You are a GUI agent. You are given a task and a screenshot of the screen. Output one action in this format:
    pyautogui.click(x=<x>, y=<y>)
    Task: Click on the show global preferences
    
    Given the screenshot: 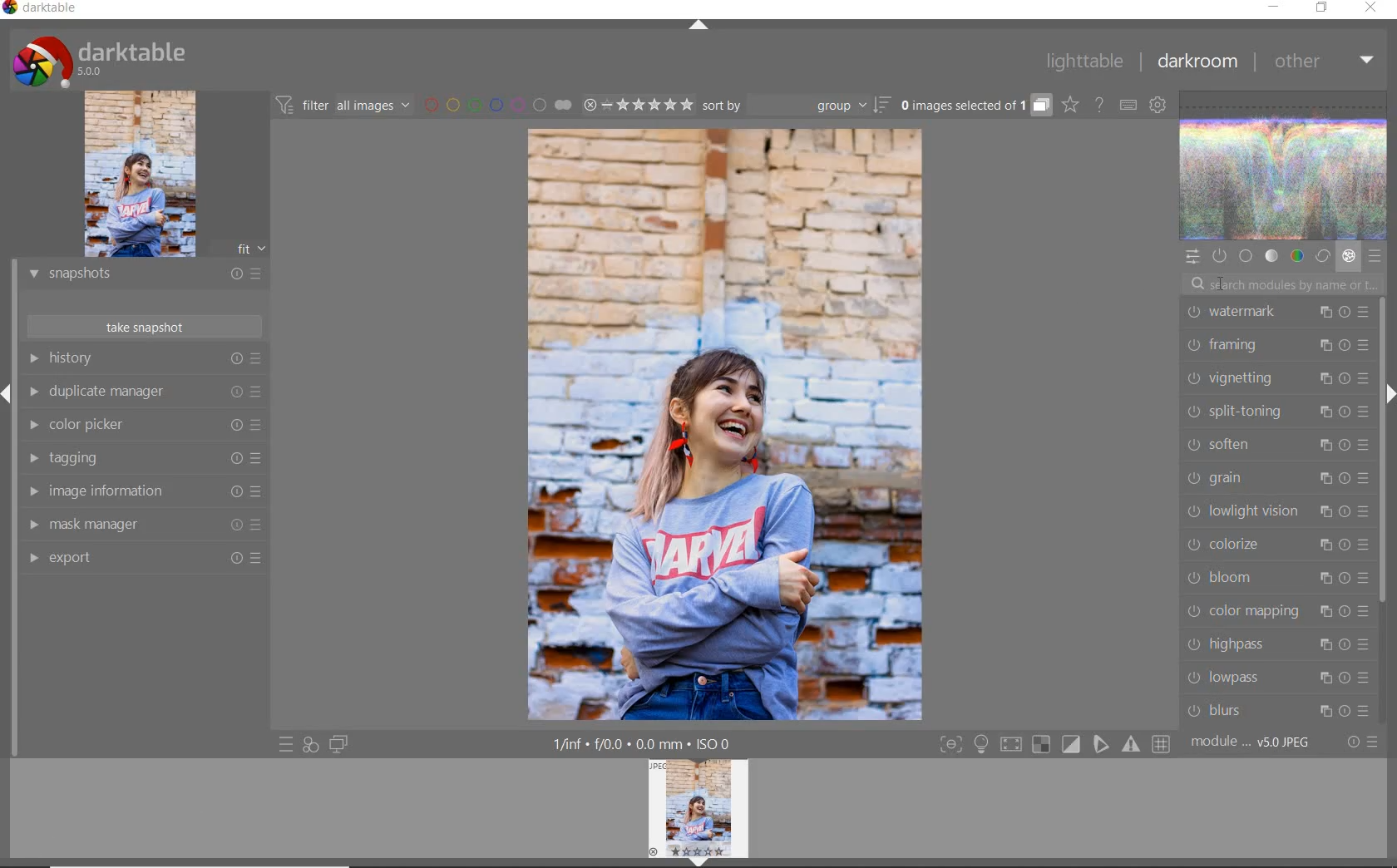 What is the action you would take?
    pyautogui.click(x=1158, y=106)
    